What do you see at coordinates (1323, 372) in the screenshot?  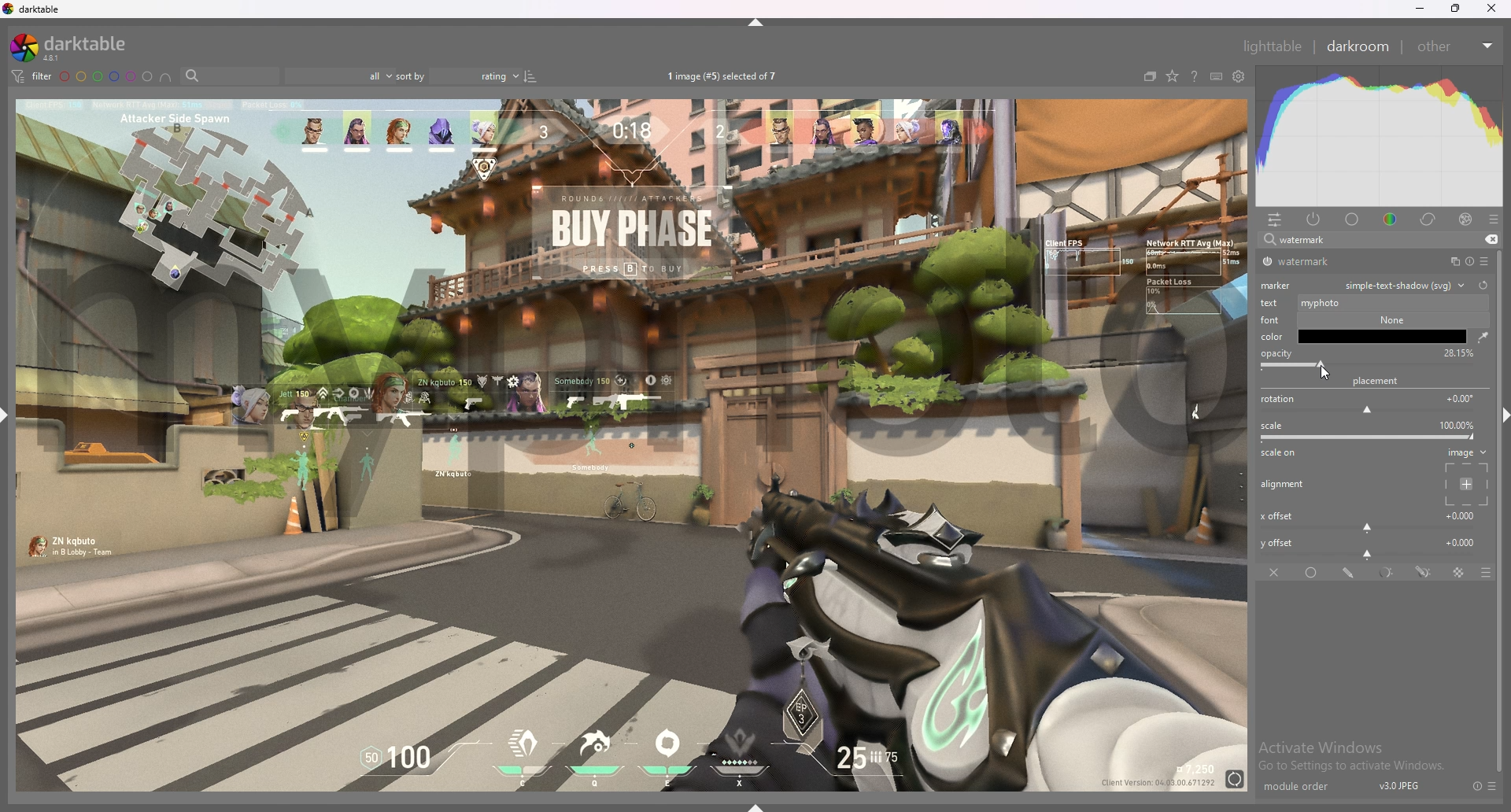 I see `cursor` at bounding box center [1323, 372].